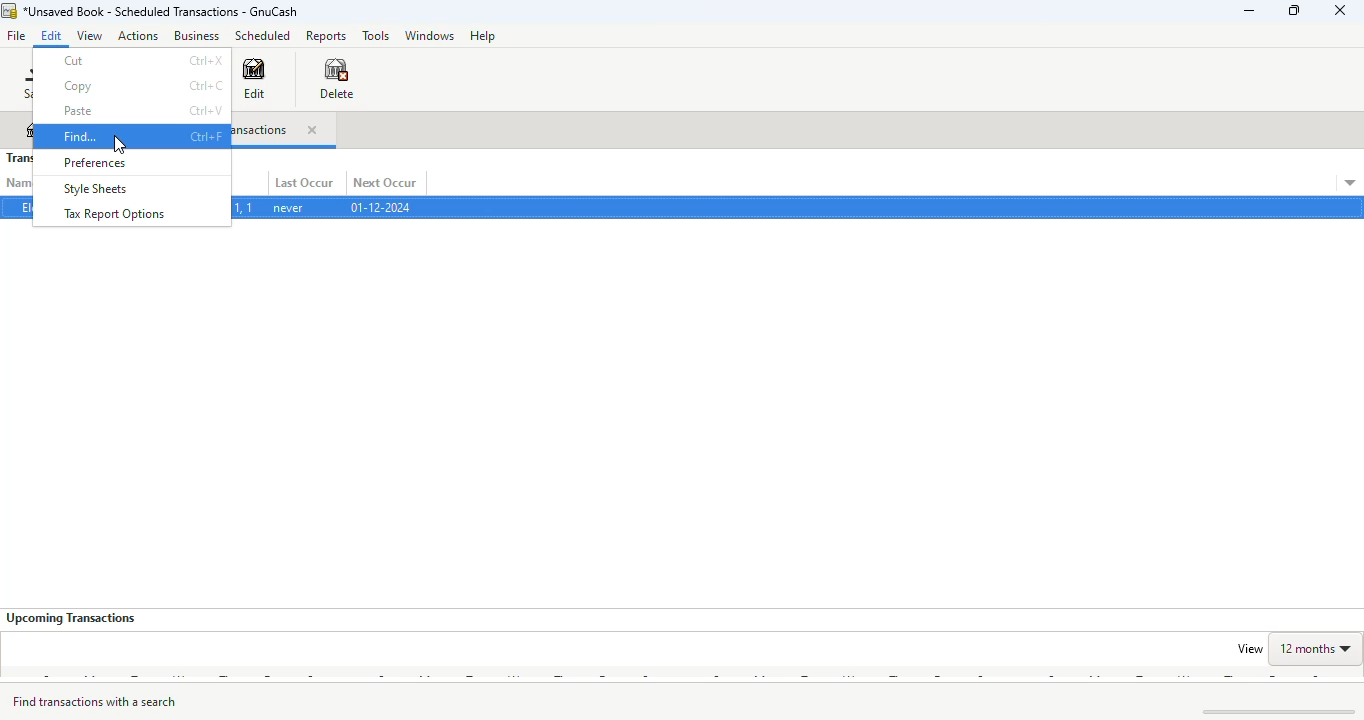 Image resolution: width=1364 pixels, height=720 pixels. Describe the element at coordinates (90, 37) in the screenshot. I see `view` at that location.